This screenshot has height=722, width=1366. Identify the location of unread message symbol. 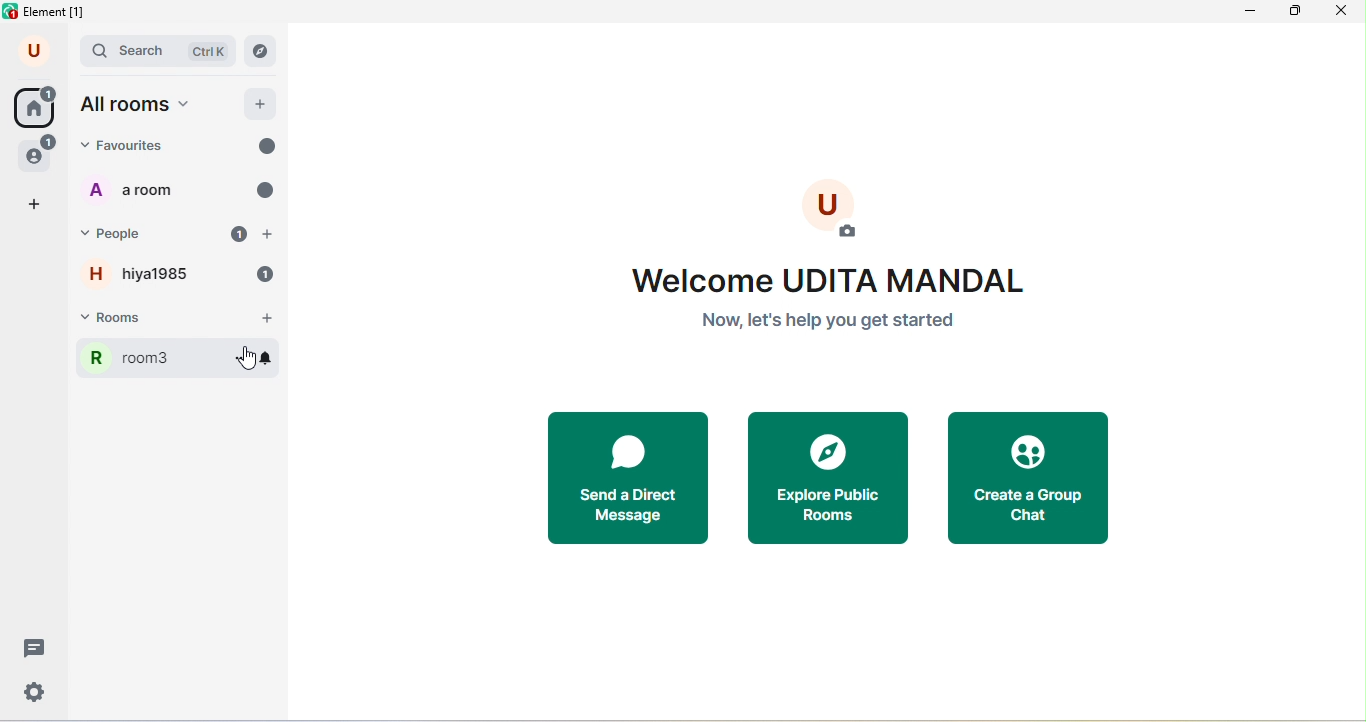
(267, 145).